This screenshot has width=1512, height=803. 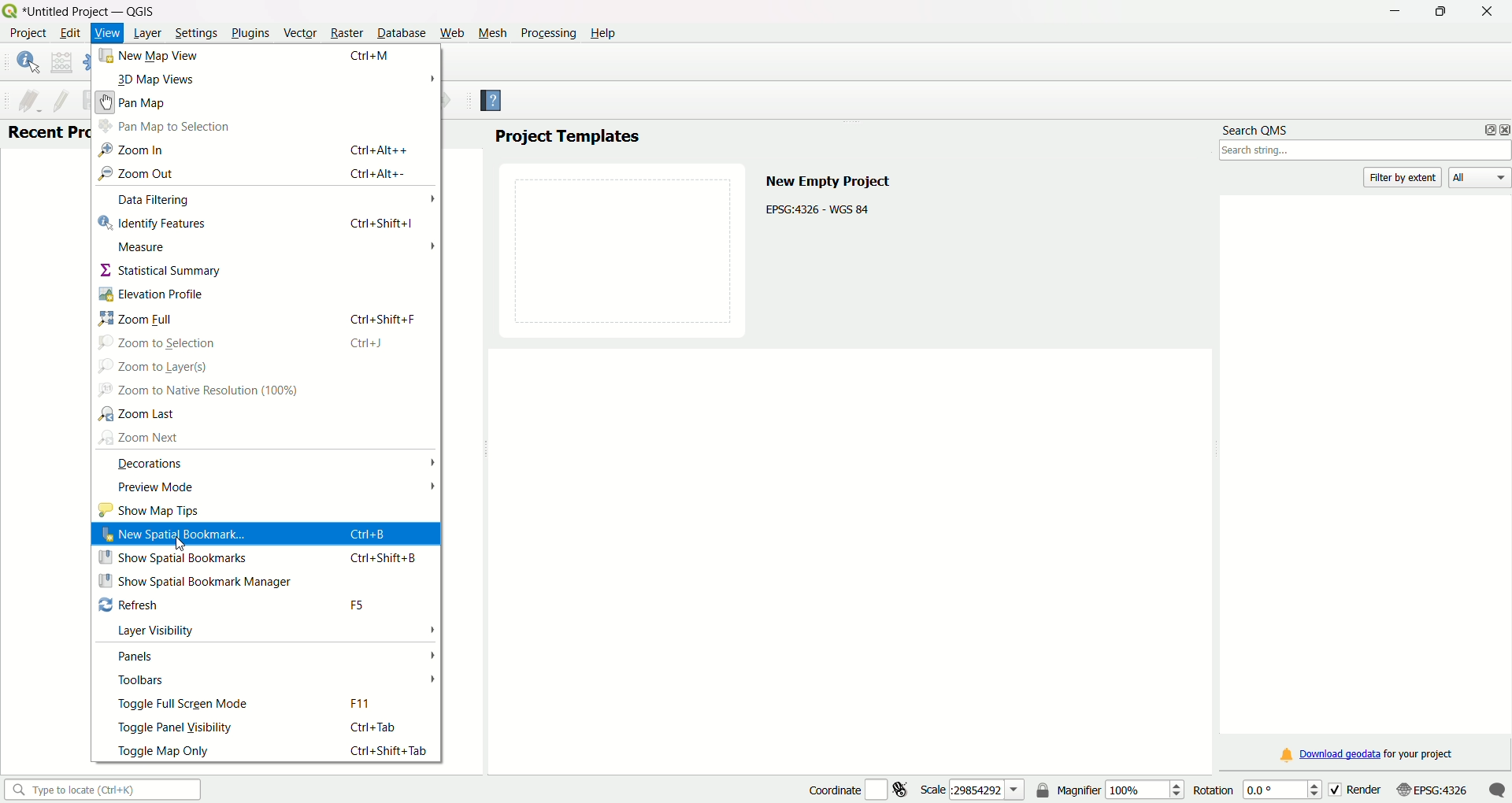 I want to click on measure, so click(x=143, y=246).